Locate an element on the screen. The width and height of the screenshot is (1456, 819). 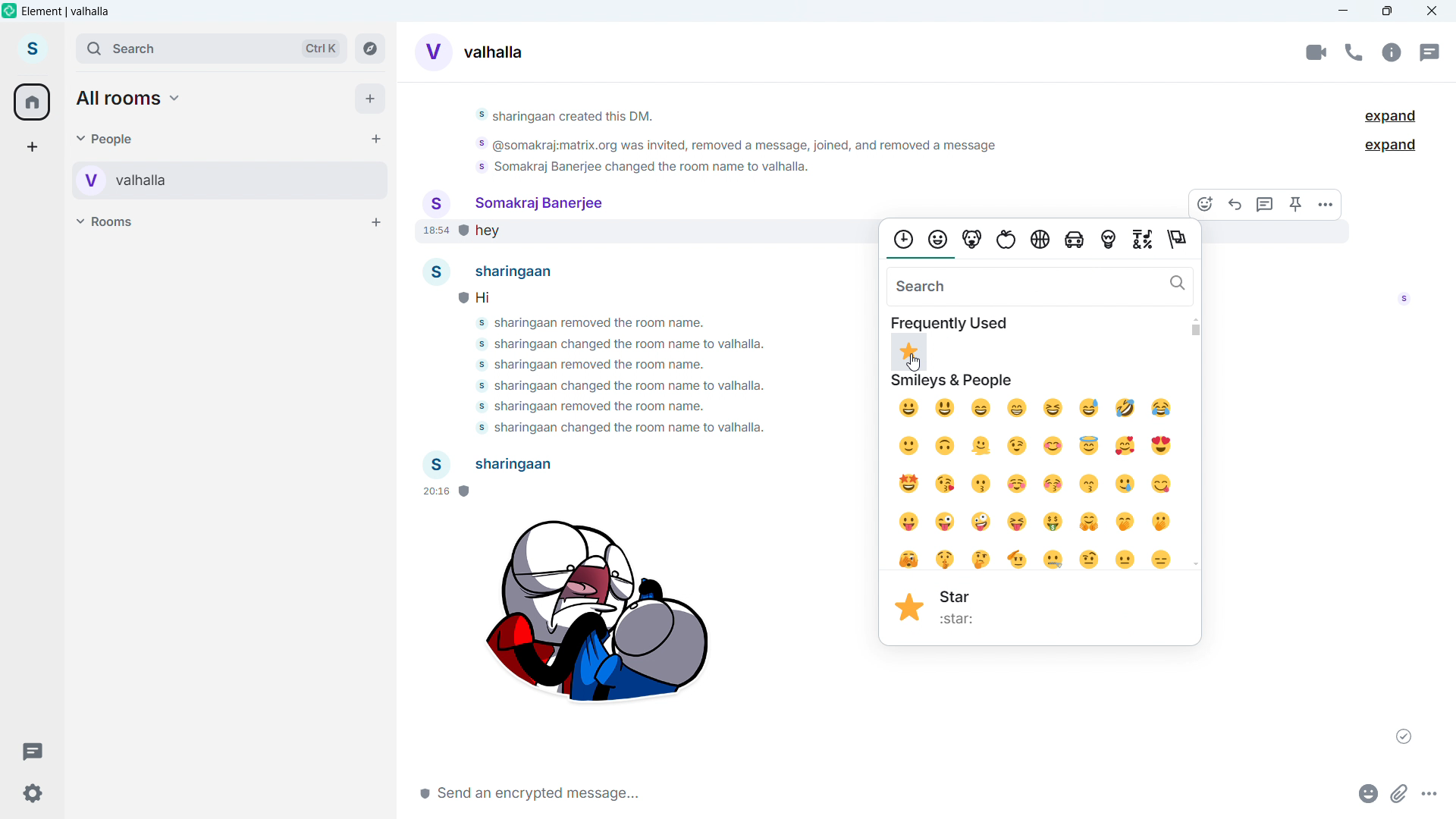
Hey is located at coordinates (659, 234).